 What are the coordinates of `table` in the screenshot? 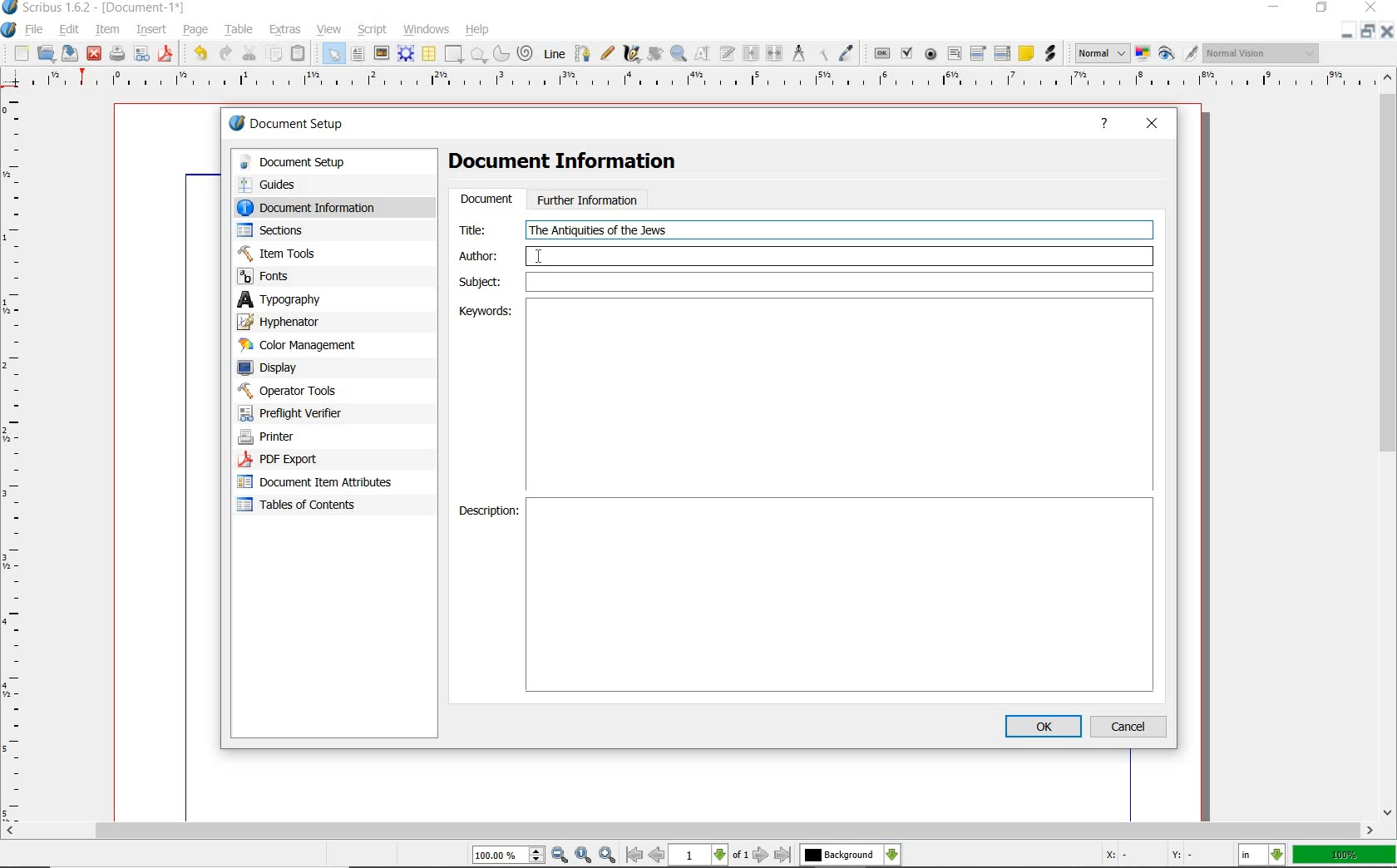 It's located at (428, 53).